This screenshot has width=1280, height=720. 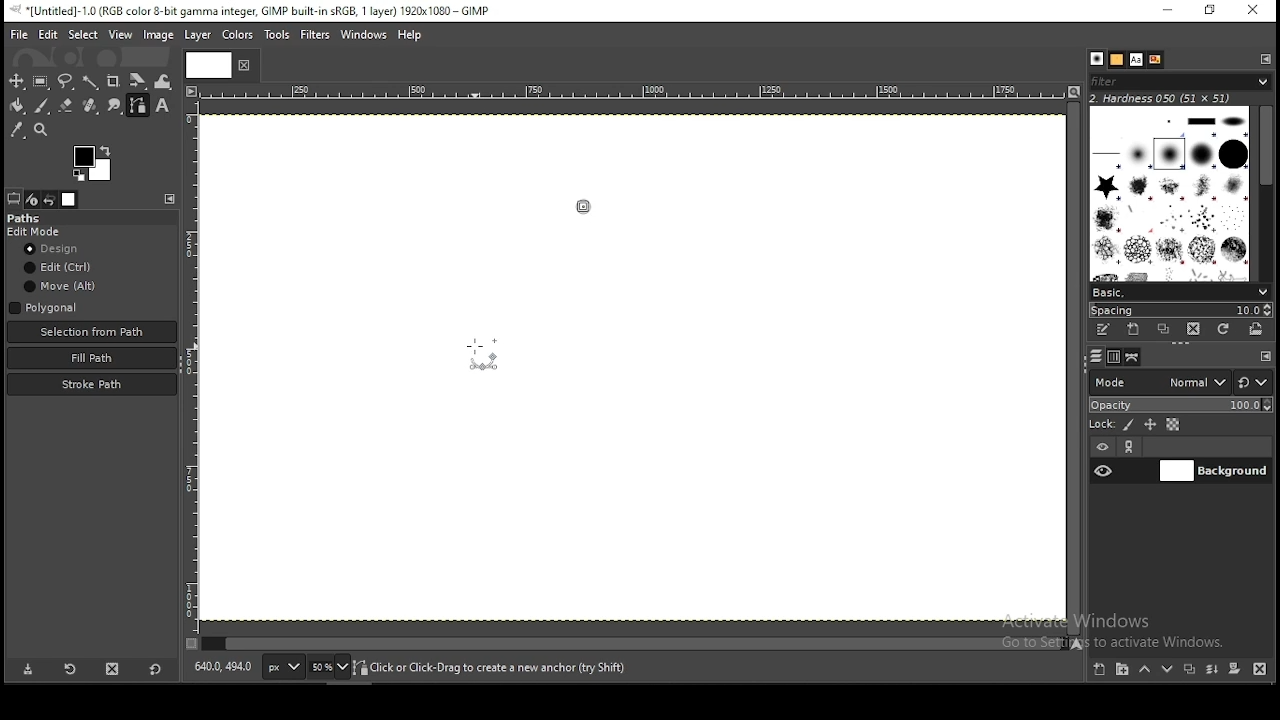 I want to click on layer 1, so click(x=1213, y=471).